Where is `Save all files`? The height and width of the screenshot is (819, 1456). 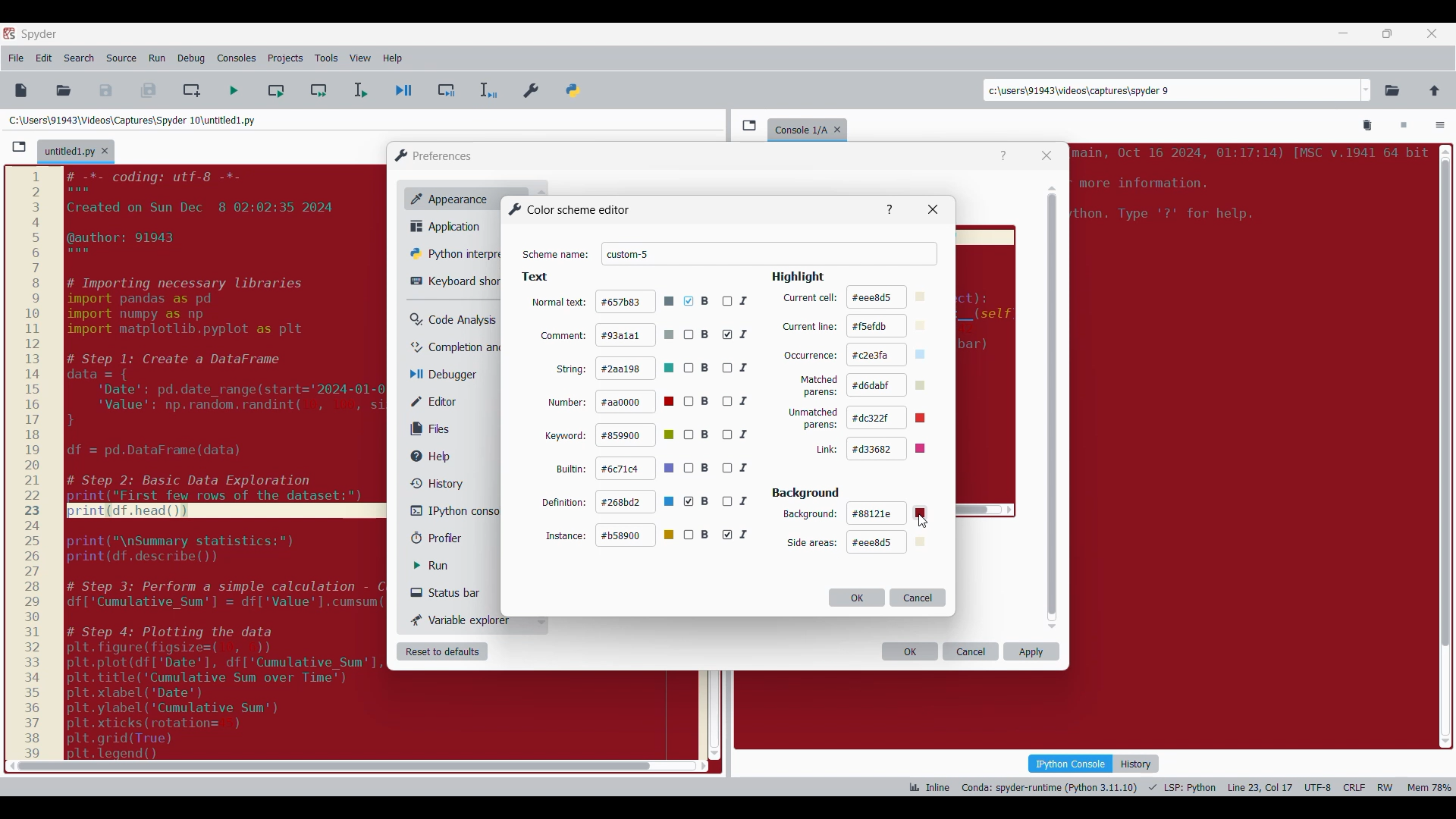 Save all files is located at coordinates (148, 90).